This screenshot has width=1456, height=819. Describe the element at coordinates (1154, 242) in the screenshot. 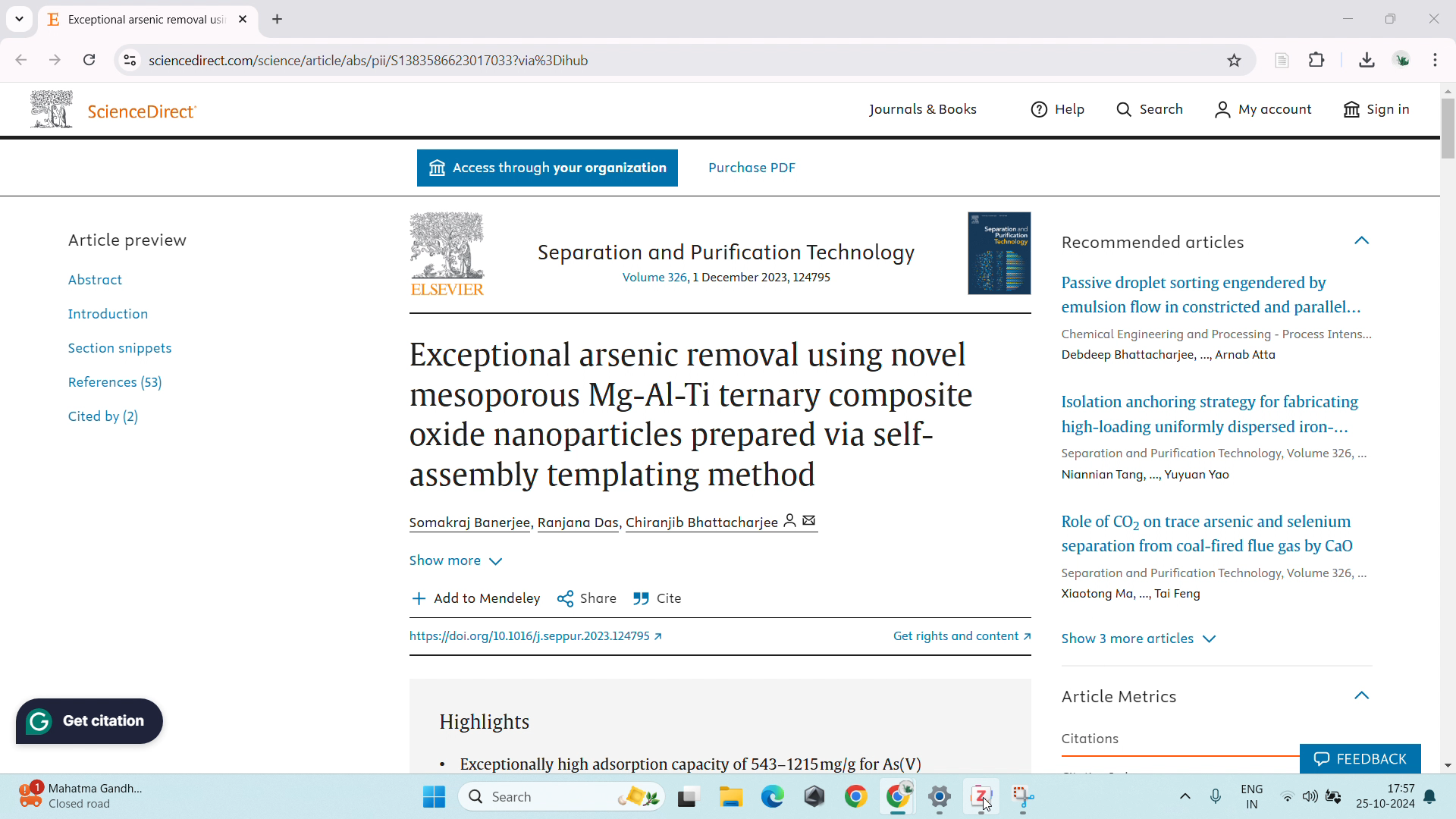

I see `Recommended articles` at that location.